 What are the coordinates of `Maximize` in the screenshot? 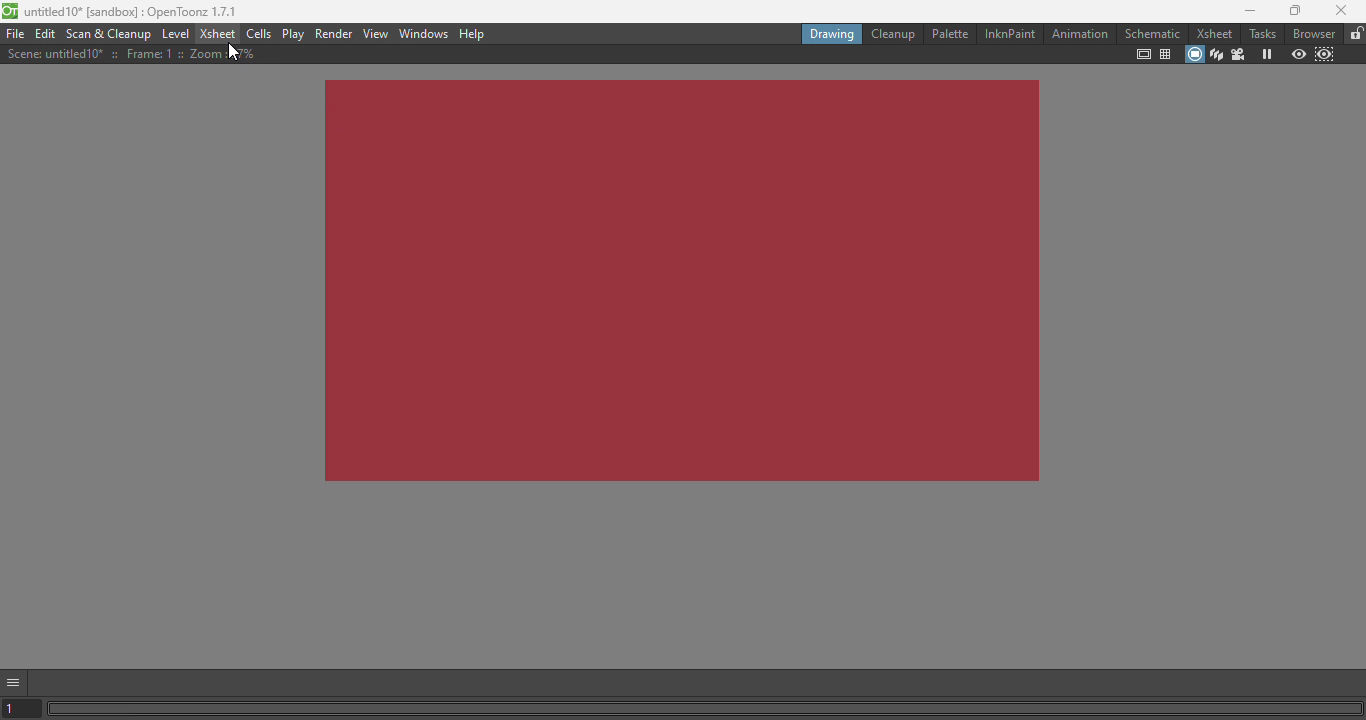 It's located at (1296, 11).